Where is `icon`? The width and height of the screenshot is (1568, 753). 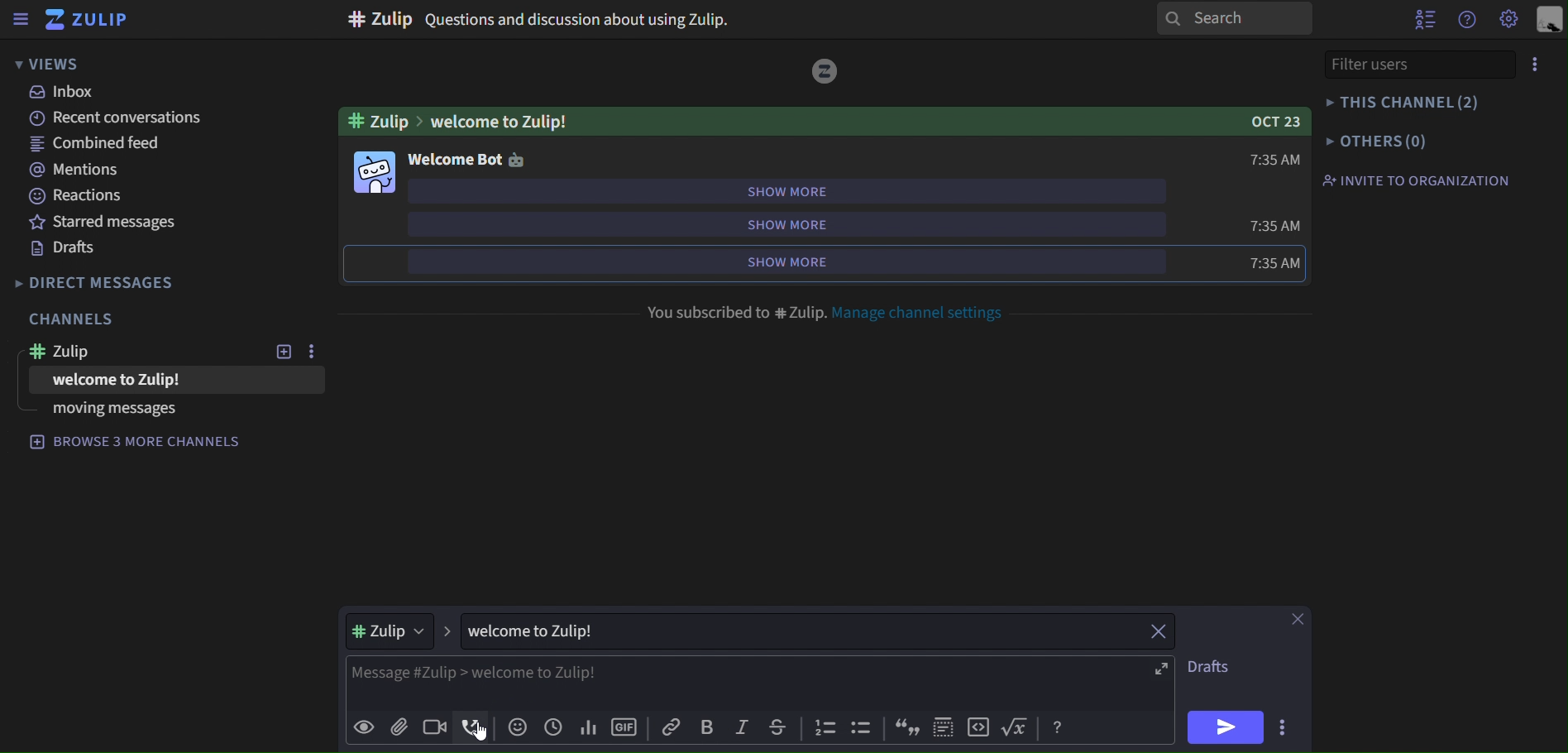
icon is located at coordinates (860, 728).